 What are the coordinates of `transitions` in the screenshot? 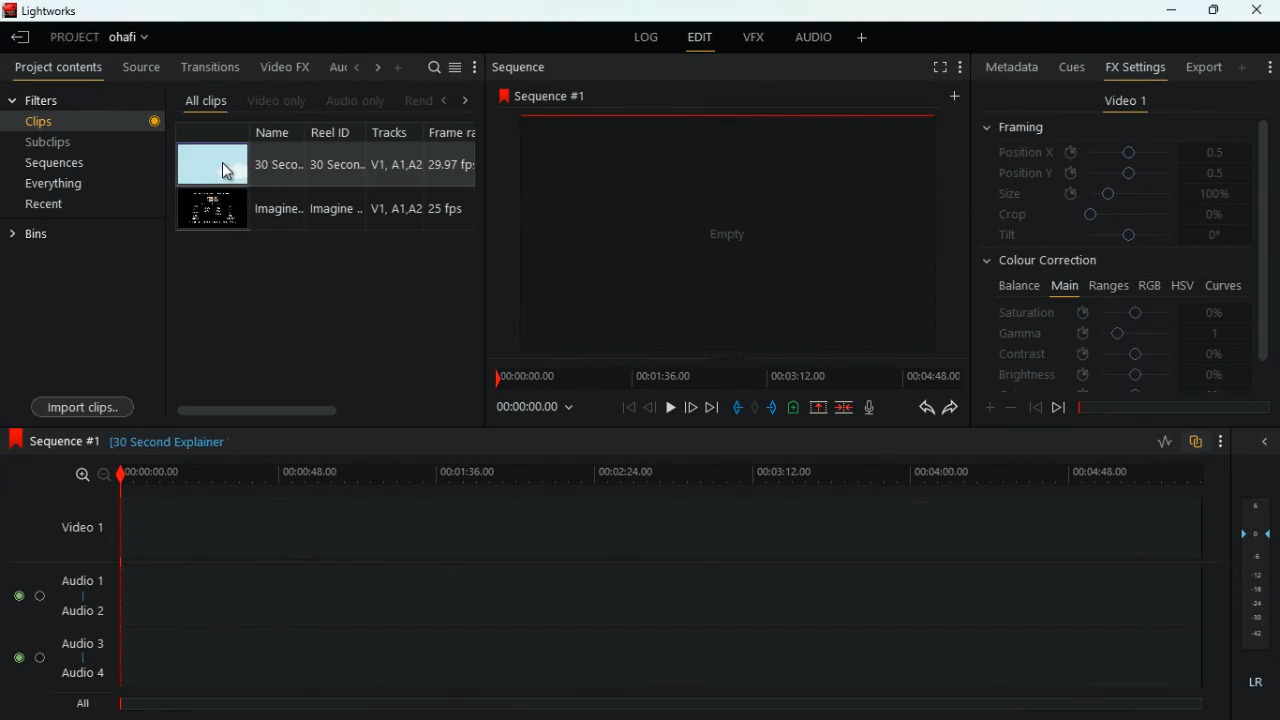 It's located at (207, 66).